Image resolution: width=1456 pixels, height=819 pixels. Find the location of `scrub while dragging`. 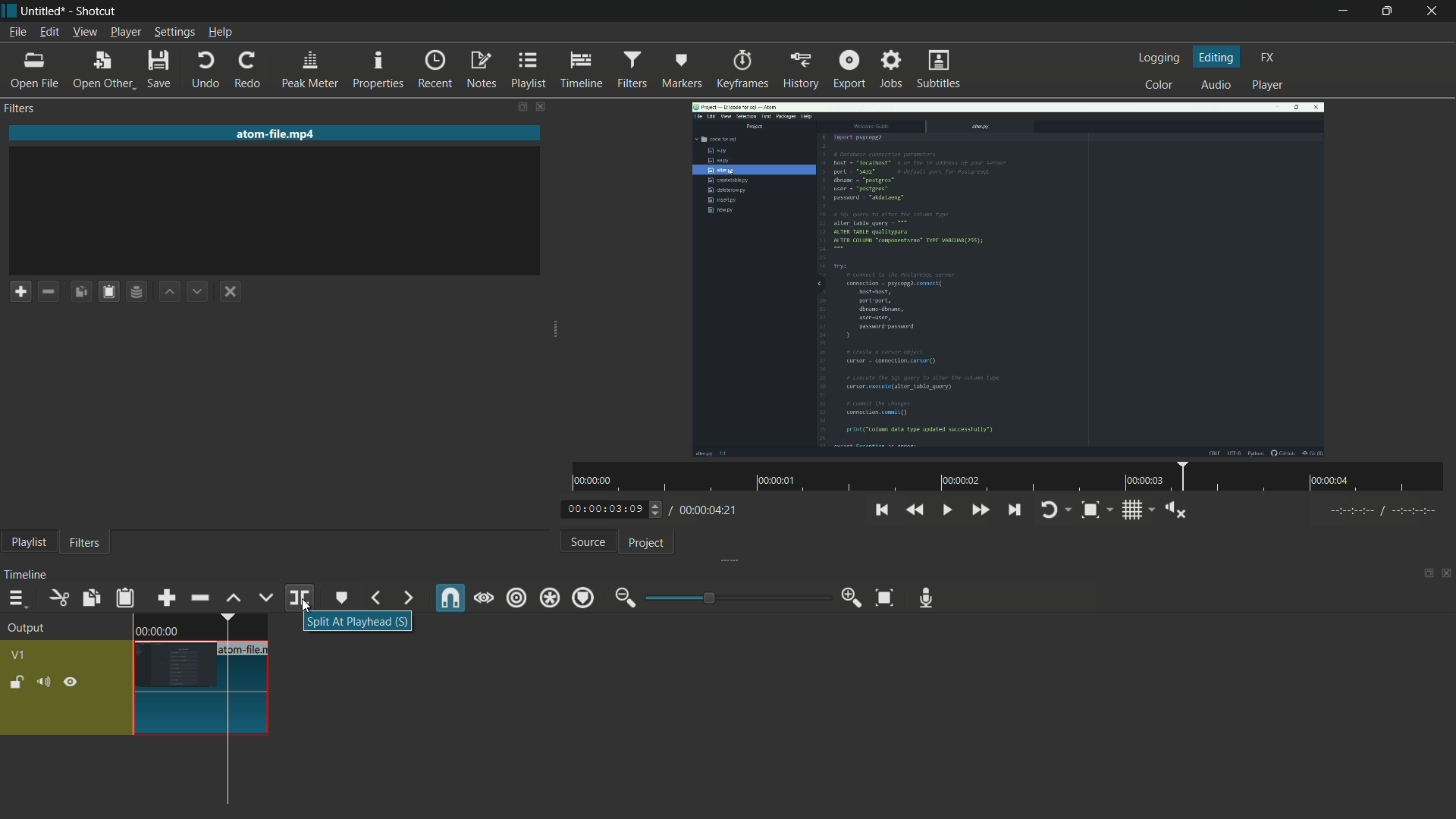

scrub while dragging is located at coordinates (483, 598).